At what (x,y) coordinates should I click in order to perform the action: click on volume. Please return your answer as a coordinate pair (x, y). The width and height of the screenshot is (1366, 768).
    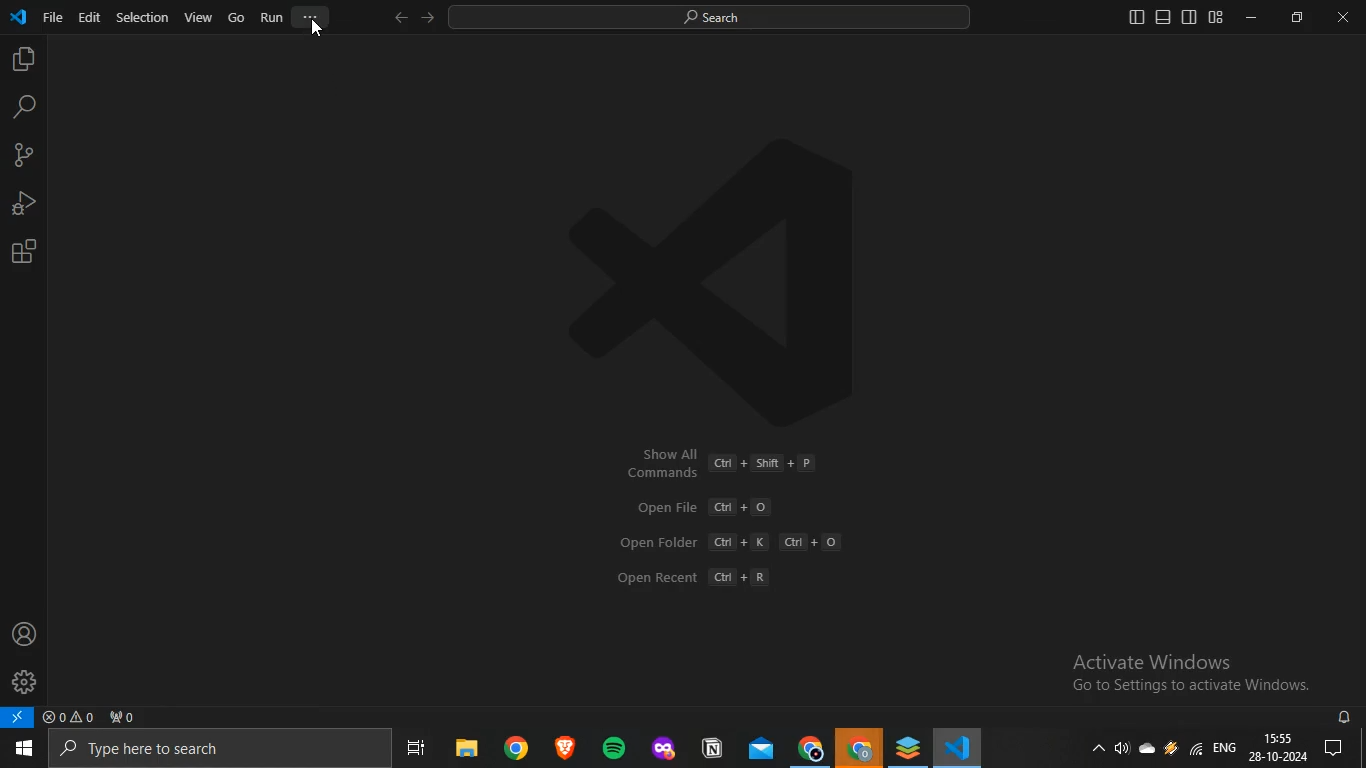
    Looking at the image, I should click on (1121, 751).